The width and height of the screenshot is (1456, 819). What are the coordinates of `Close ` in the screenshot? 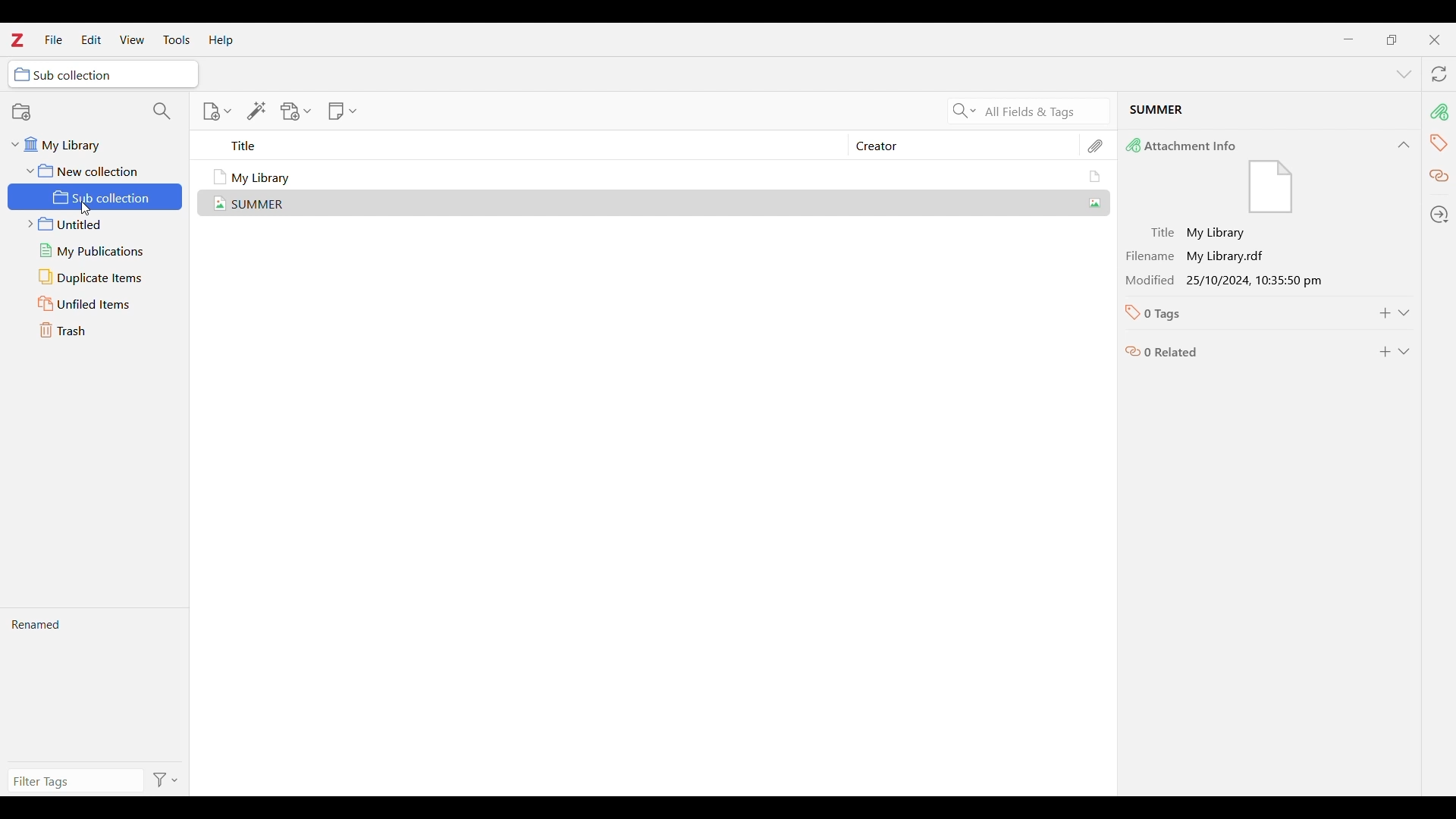 It's located at (1435, 40).